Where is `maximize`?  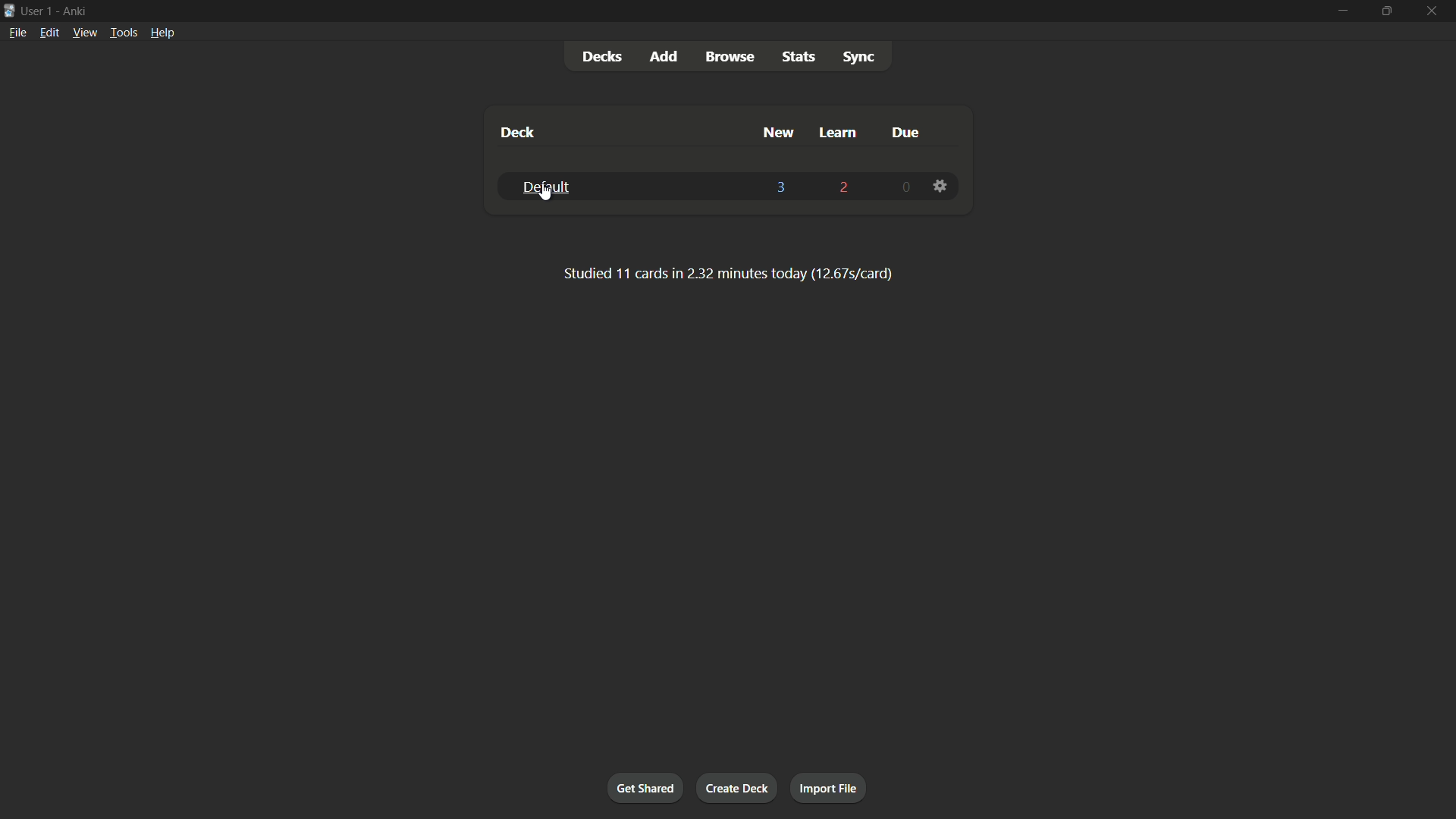
maximize is located at coordinates (1386, 10).